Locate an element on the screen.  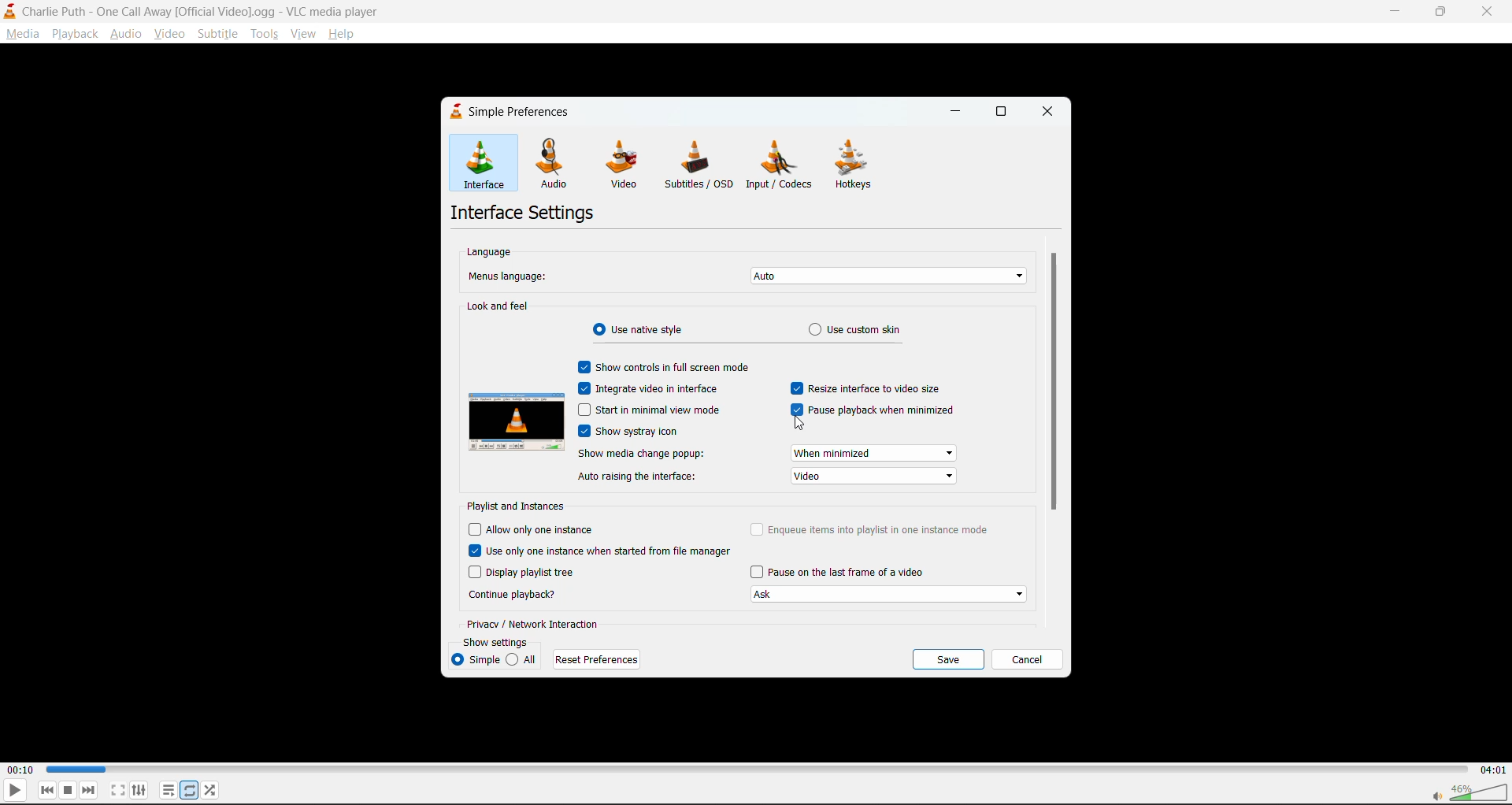
04:01 is located at coordinates (1493, 770).